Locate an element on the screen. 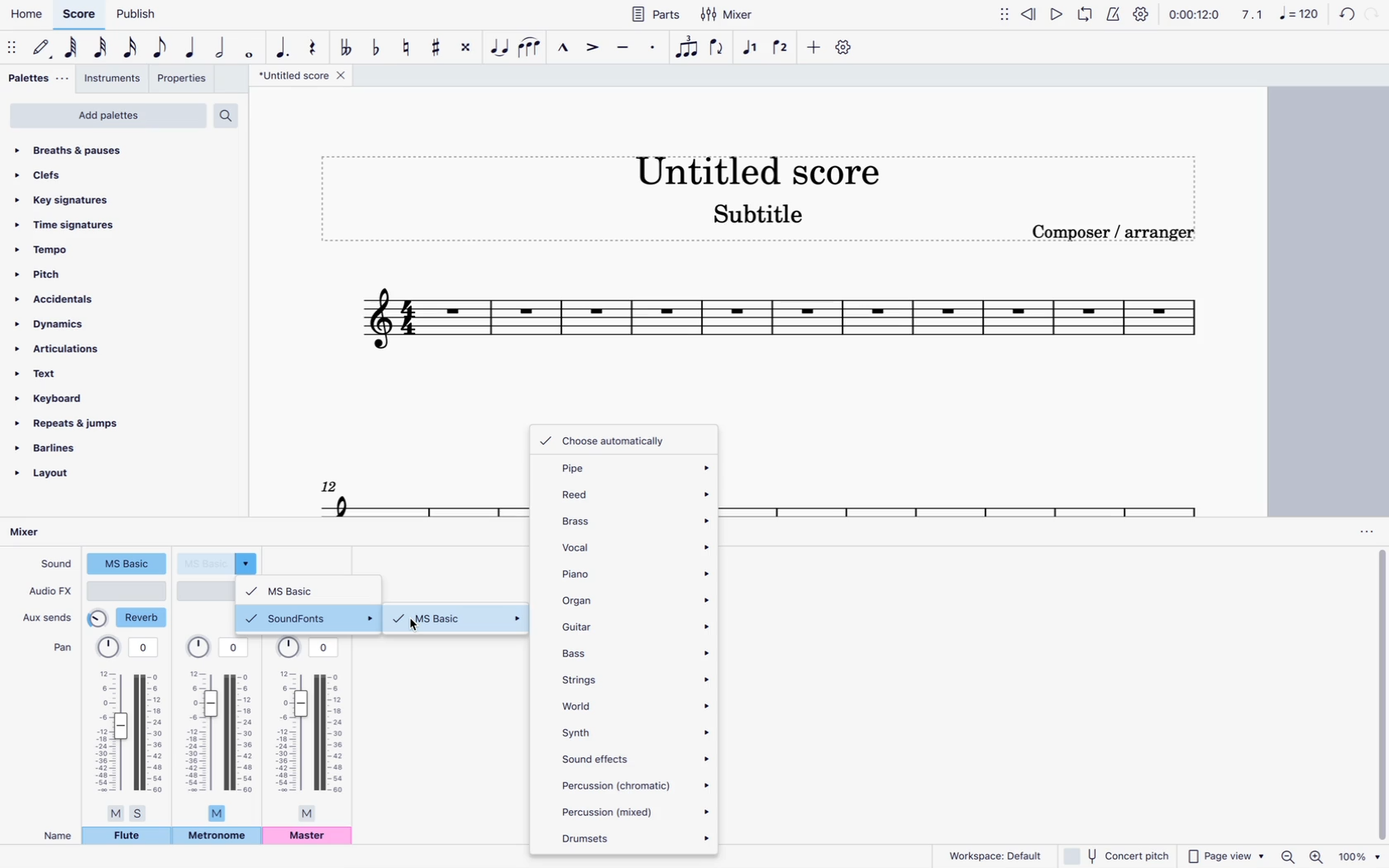  home is located at coordinates (26, 17).